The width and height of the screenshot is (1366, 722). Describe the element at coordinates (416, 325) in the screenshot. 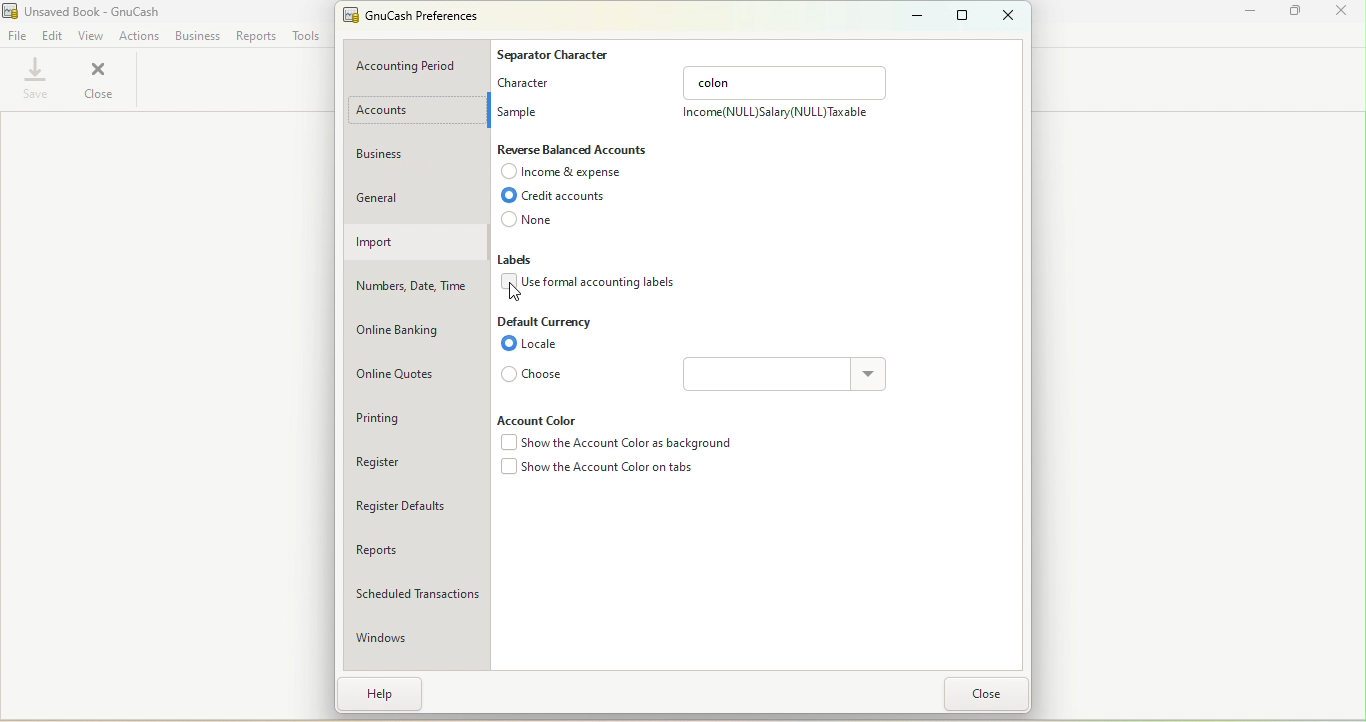

I see `Online banking` at that location.